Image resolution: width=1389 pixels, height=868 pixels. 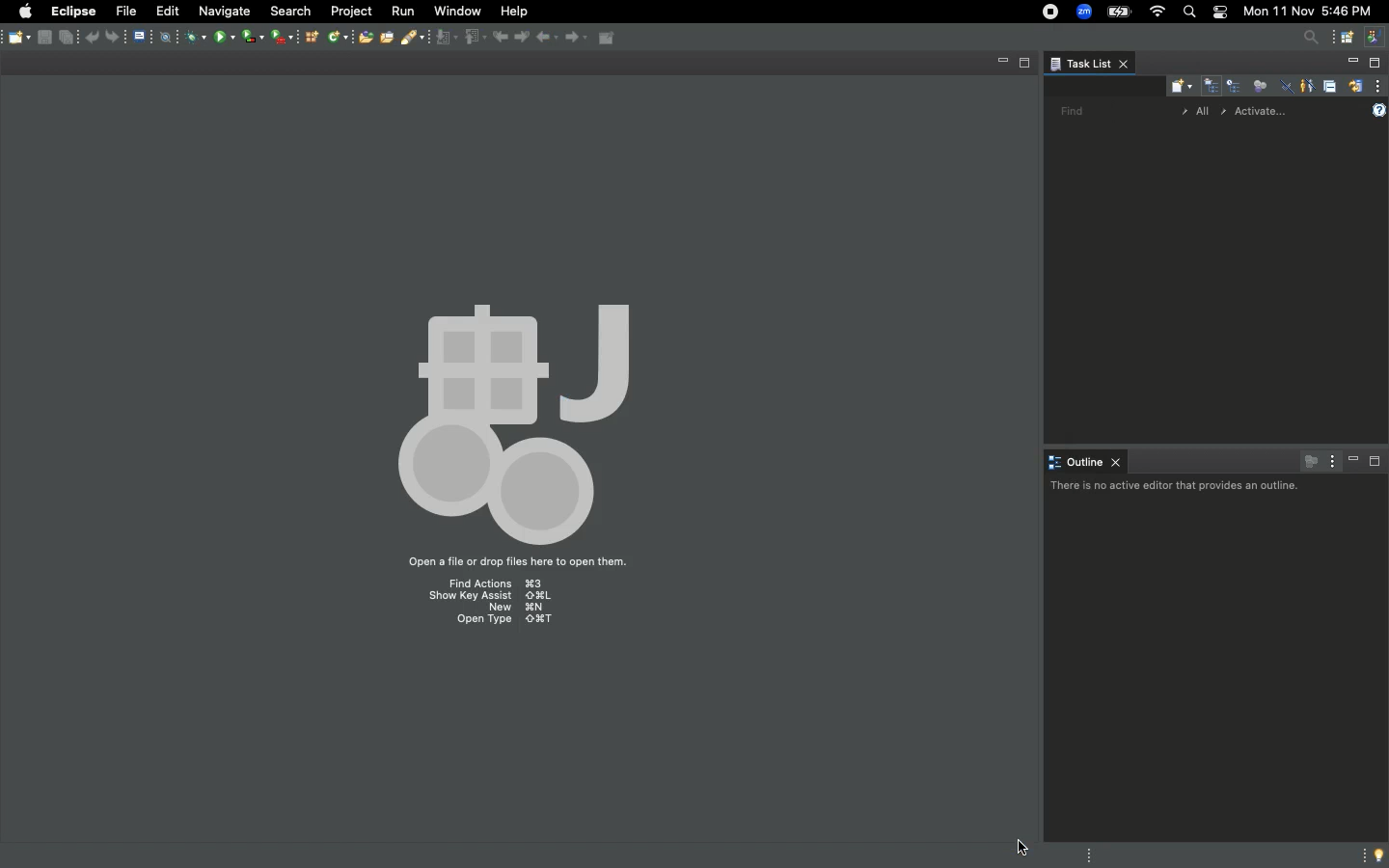 I want to click on Close, so click(x=410, y=38).